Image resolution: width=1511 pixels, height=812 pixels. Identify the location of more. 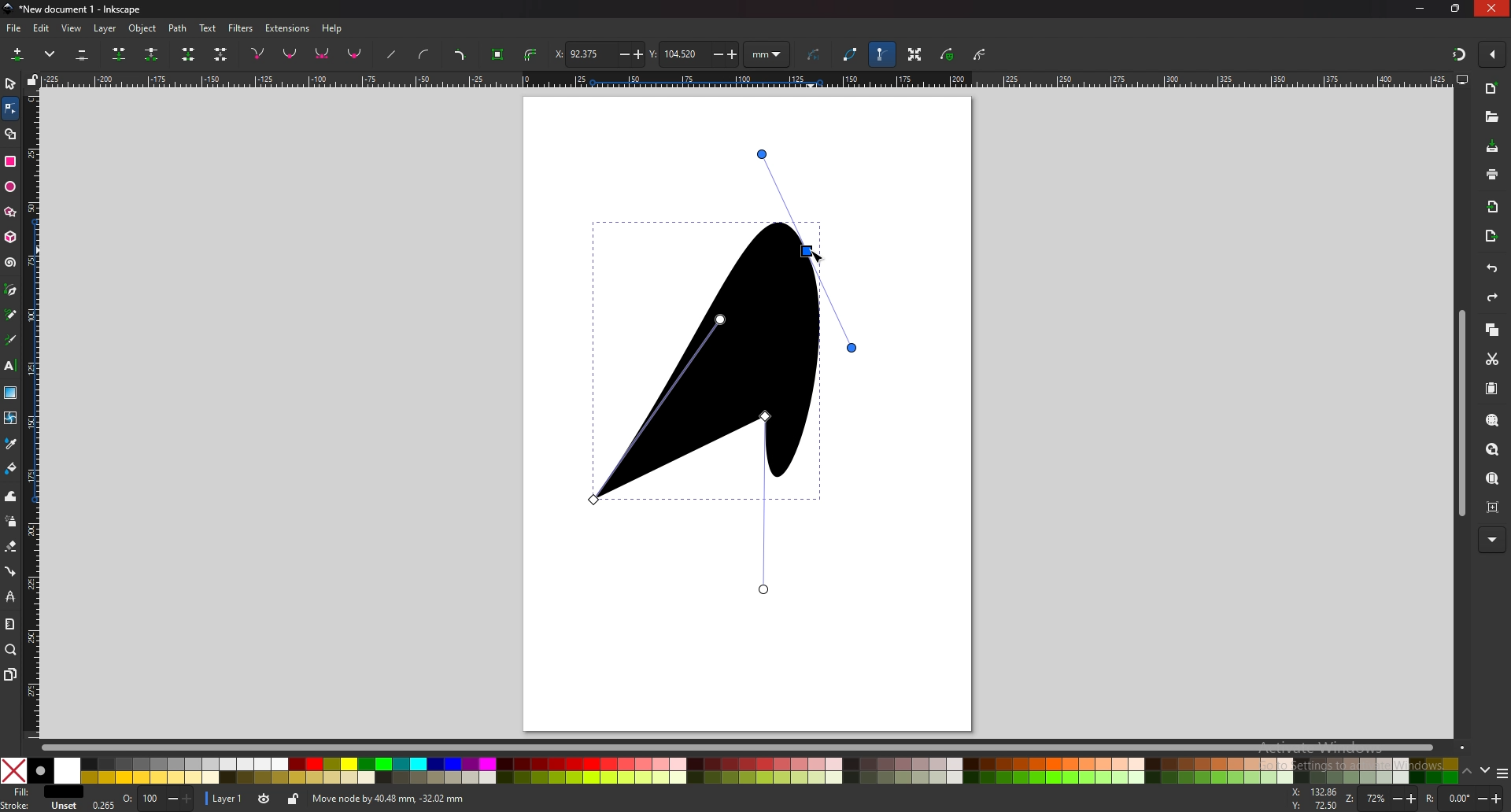
(1492, 539).